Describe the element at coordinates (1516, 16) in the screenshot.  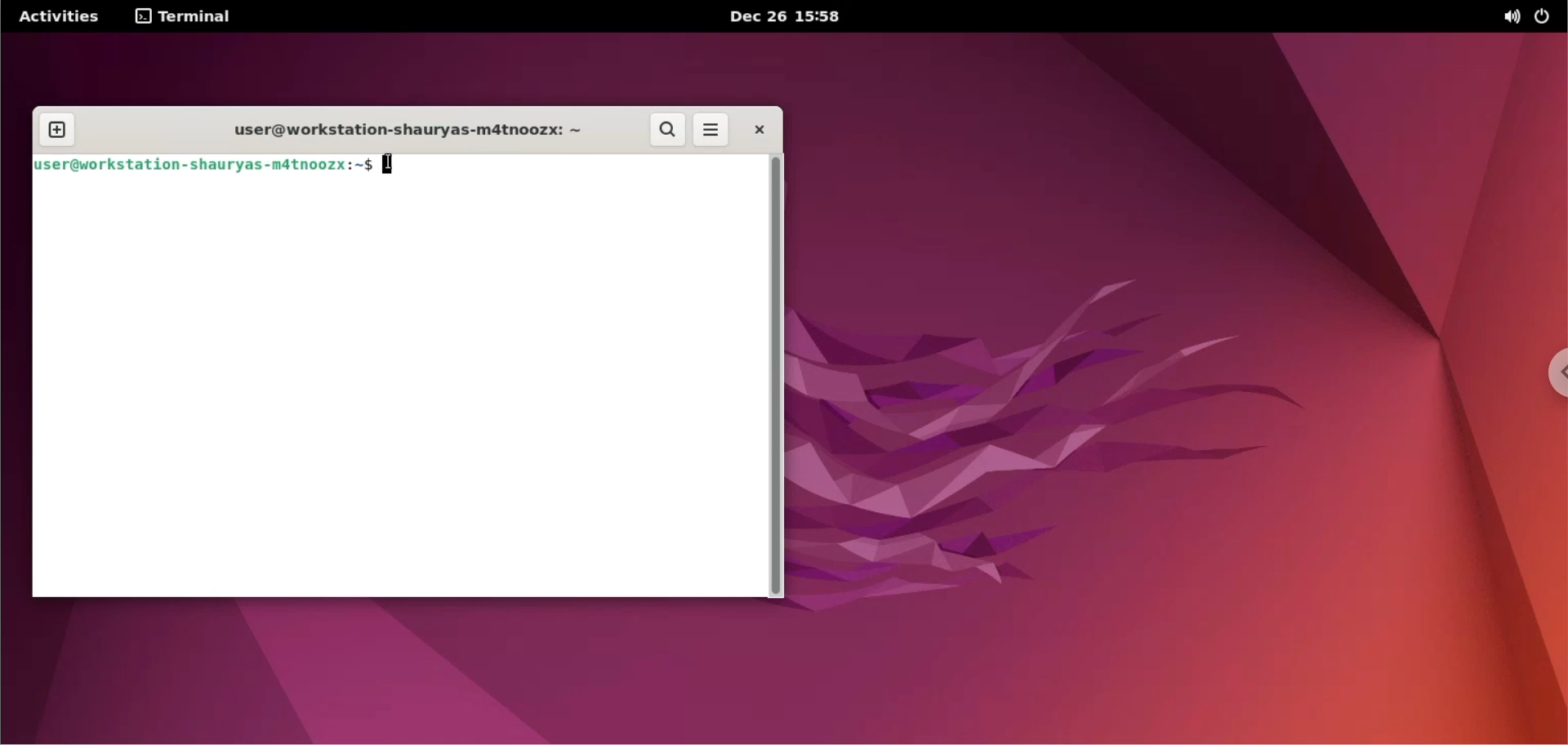
I see `sound options` at that location.